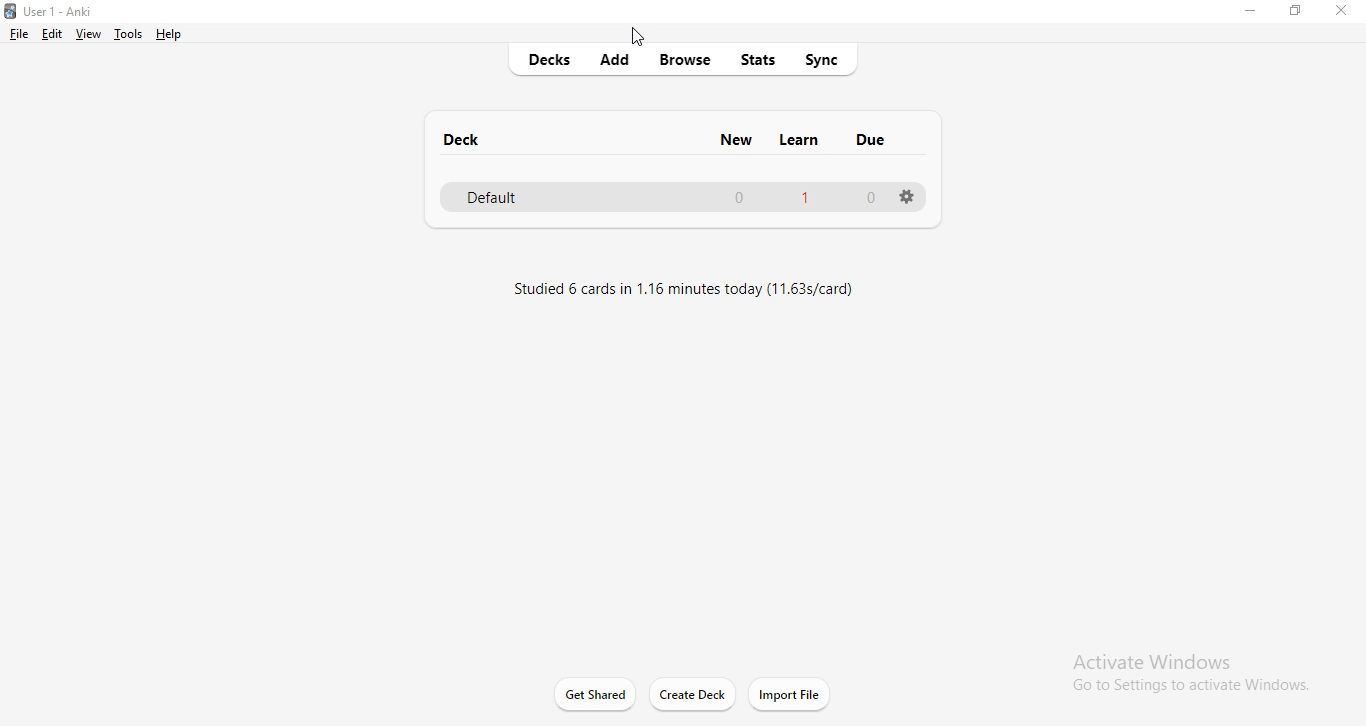 This screenshot has height=726, width=1366. Describe the element at coordinates (67, 9) in the screenshot. I see `Anki` at that location.